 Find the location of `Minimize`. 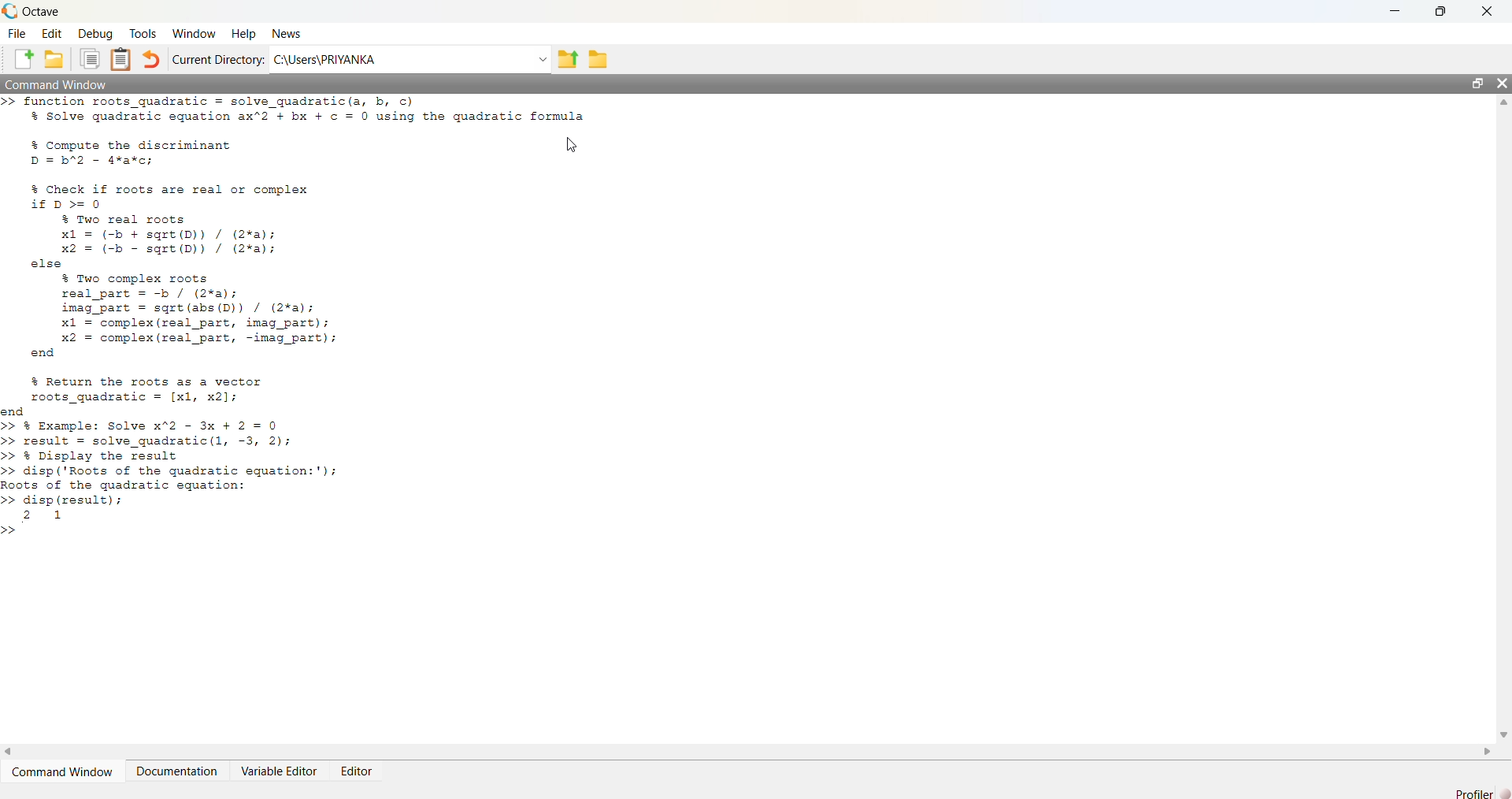

Minimize is located at coordinates (1403, 12).